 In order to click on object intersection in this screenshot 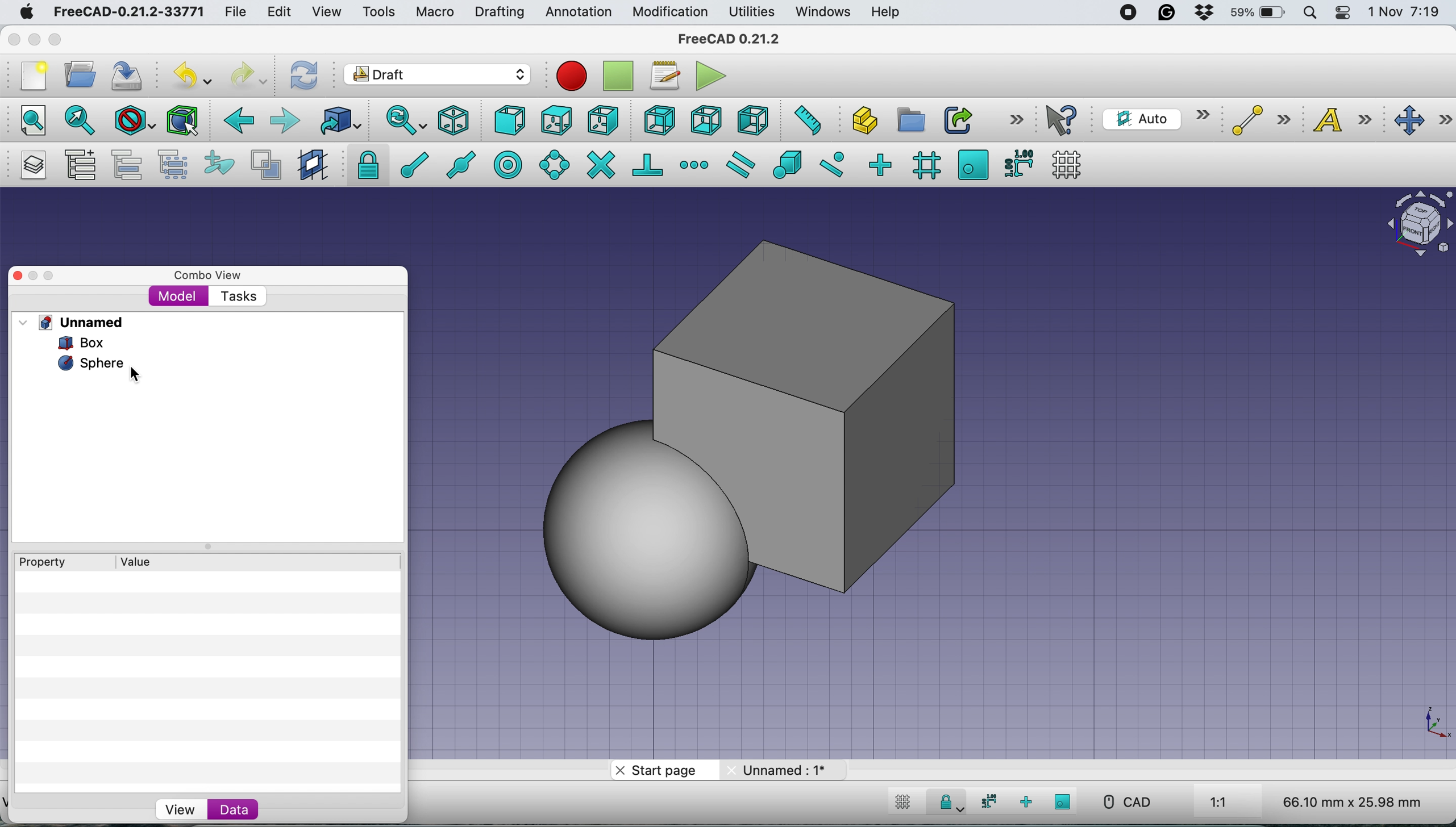, I will do `click(1418, 222)`.